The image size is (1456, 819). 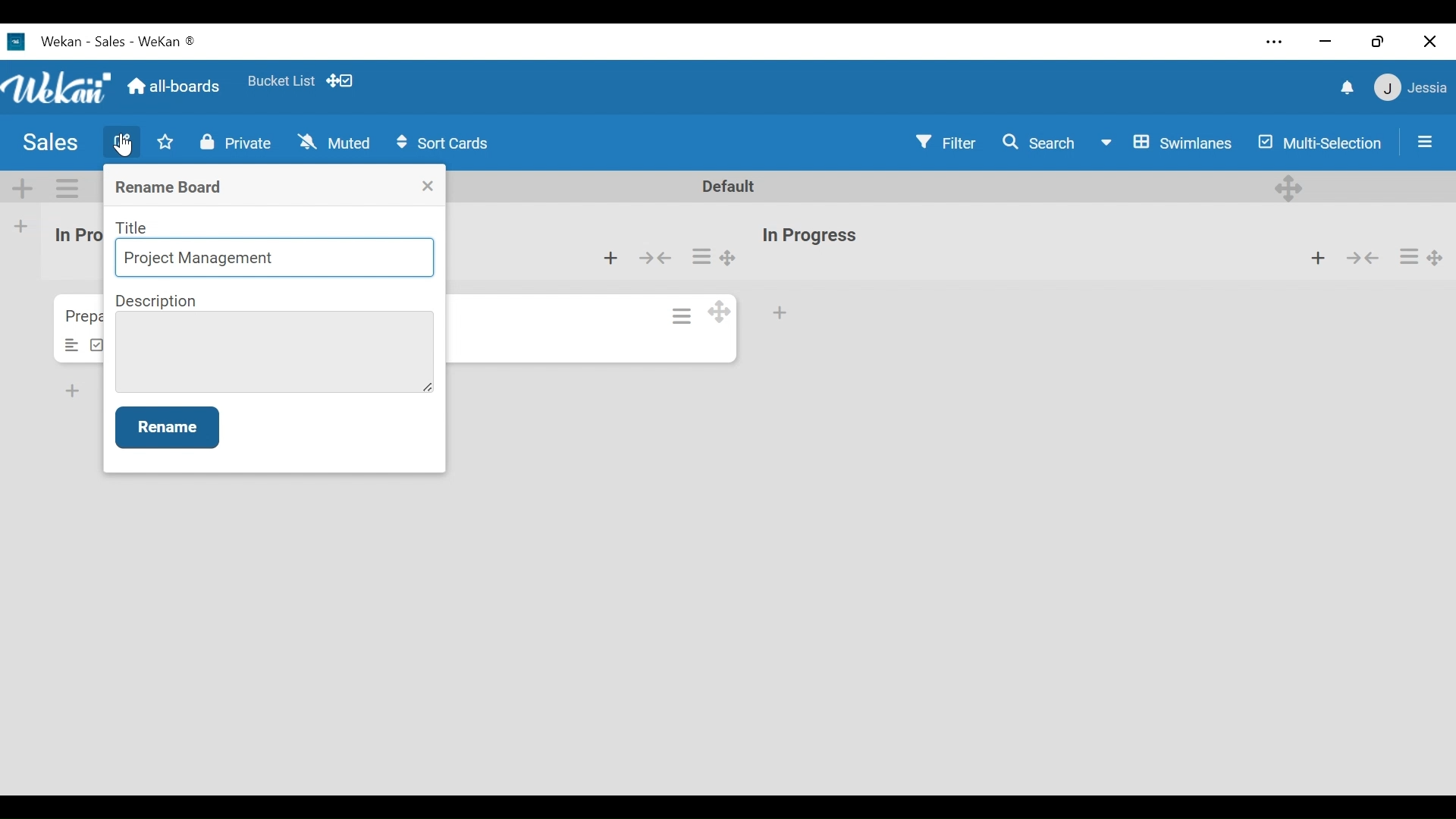 I want to click on Description Field, so click(x=274, y=352).